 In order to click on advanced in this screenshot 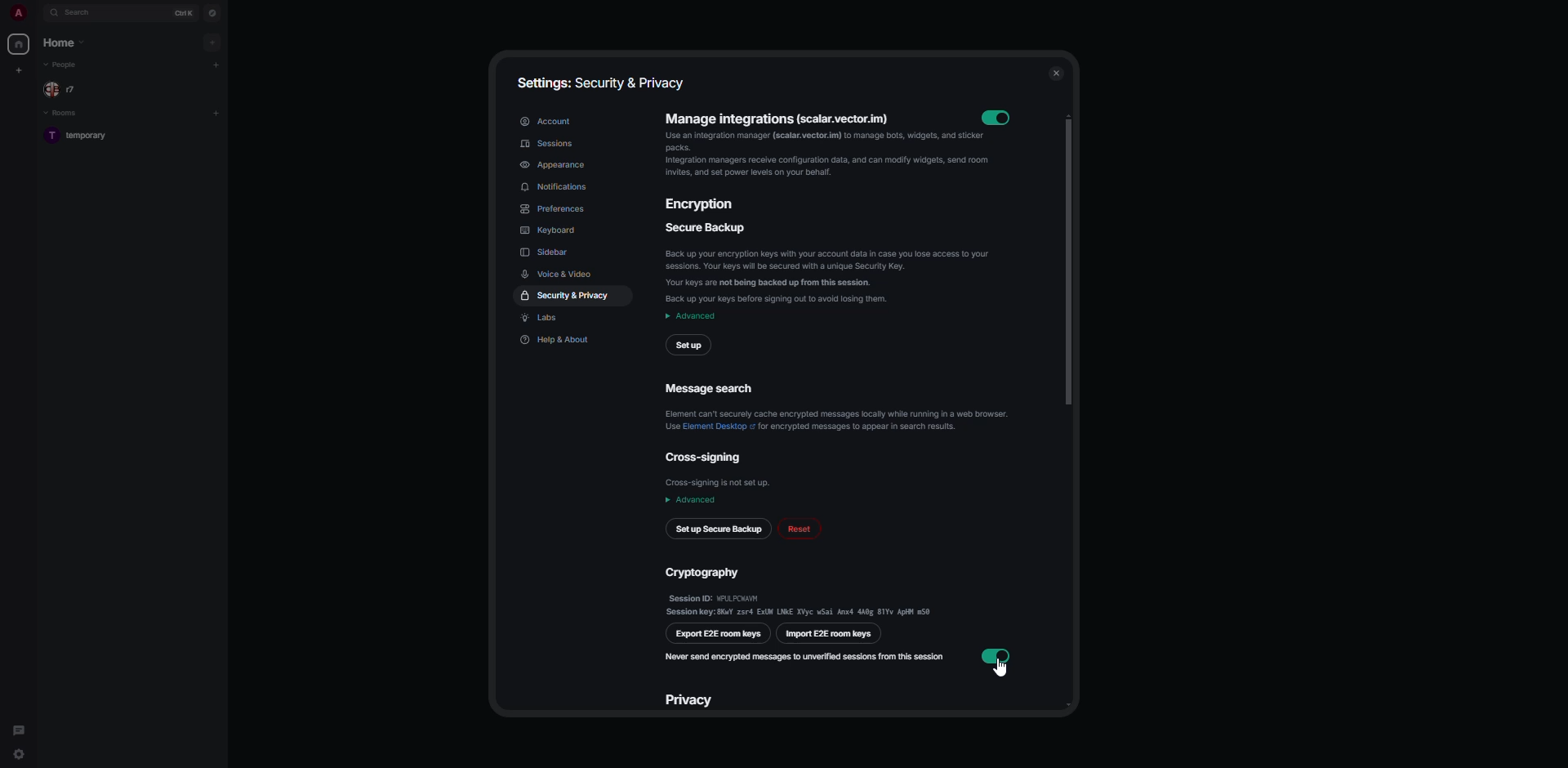, I will do `click(692, 316)`.